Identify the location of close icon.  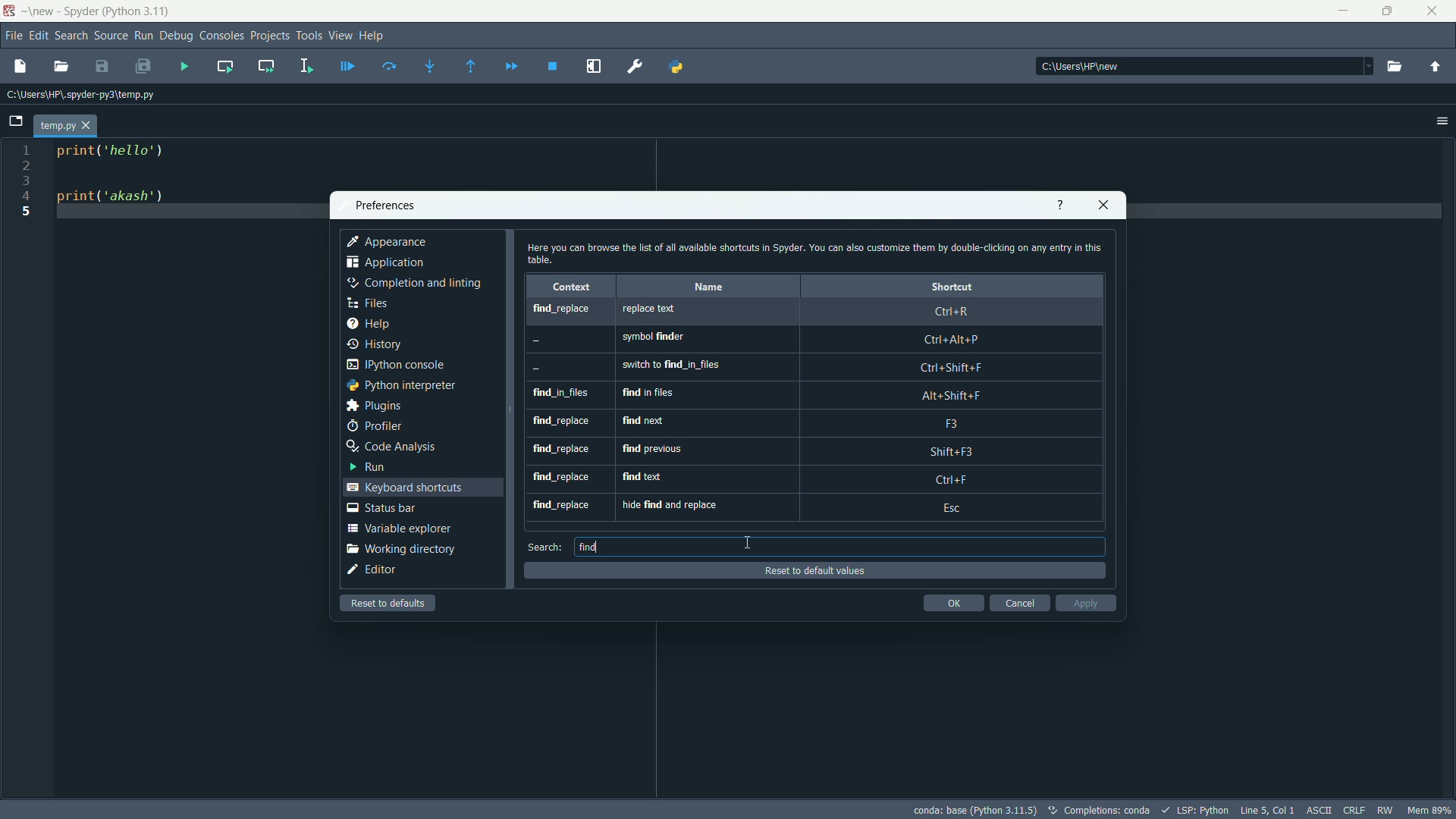
(1104, 206).